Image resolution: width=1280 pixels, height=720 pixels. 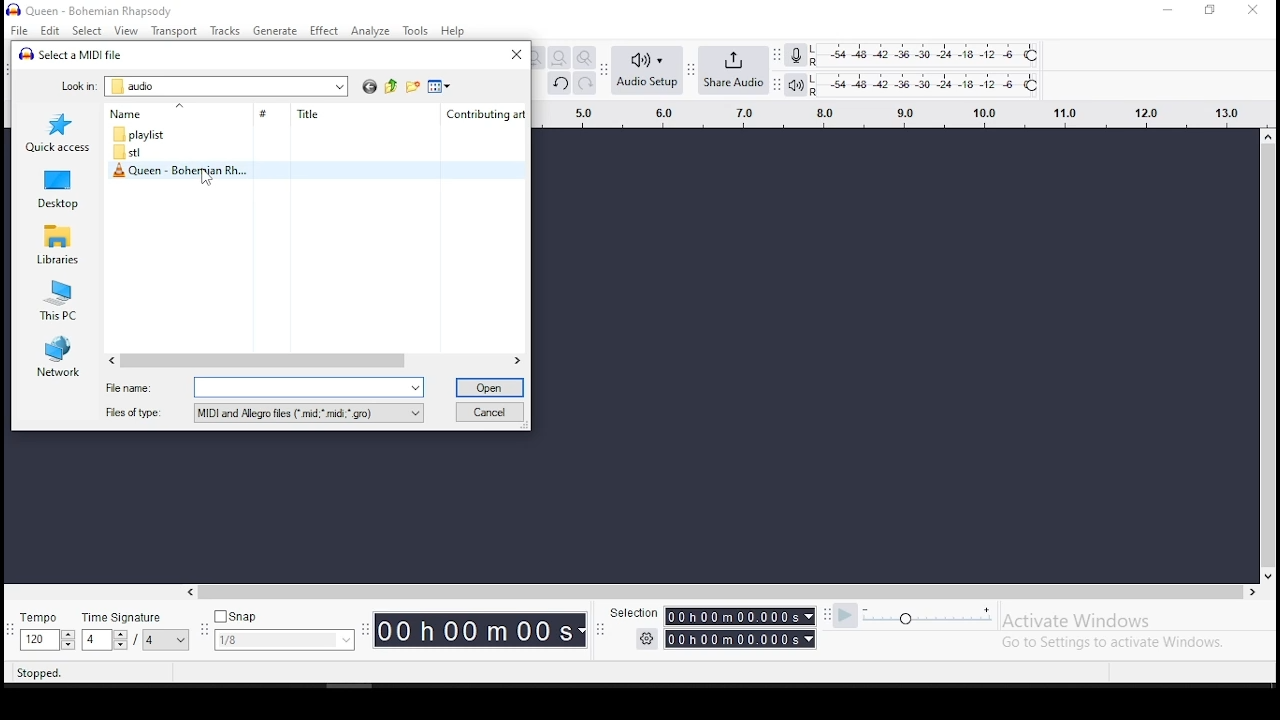 I want to click on file type, so click(x=262, y=413).